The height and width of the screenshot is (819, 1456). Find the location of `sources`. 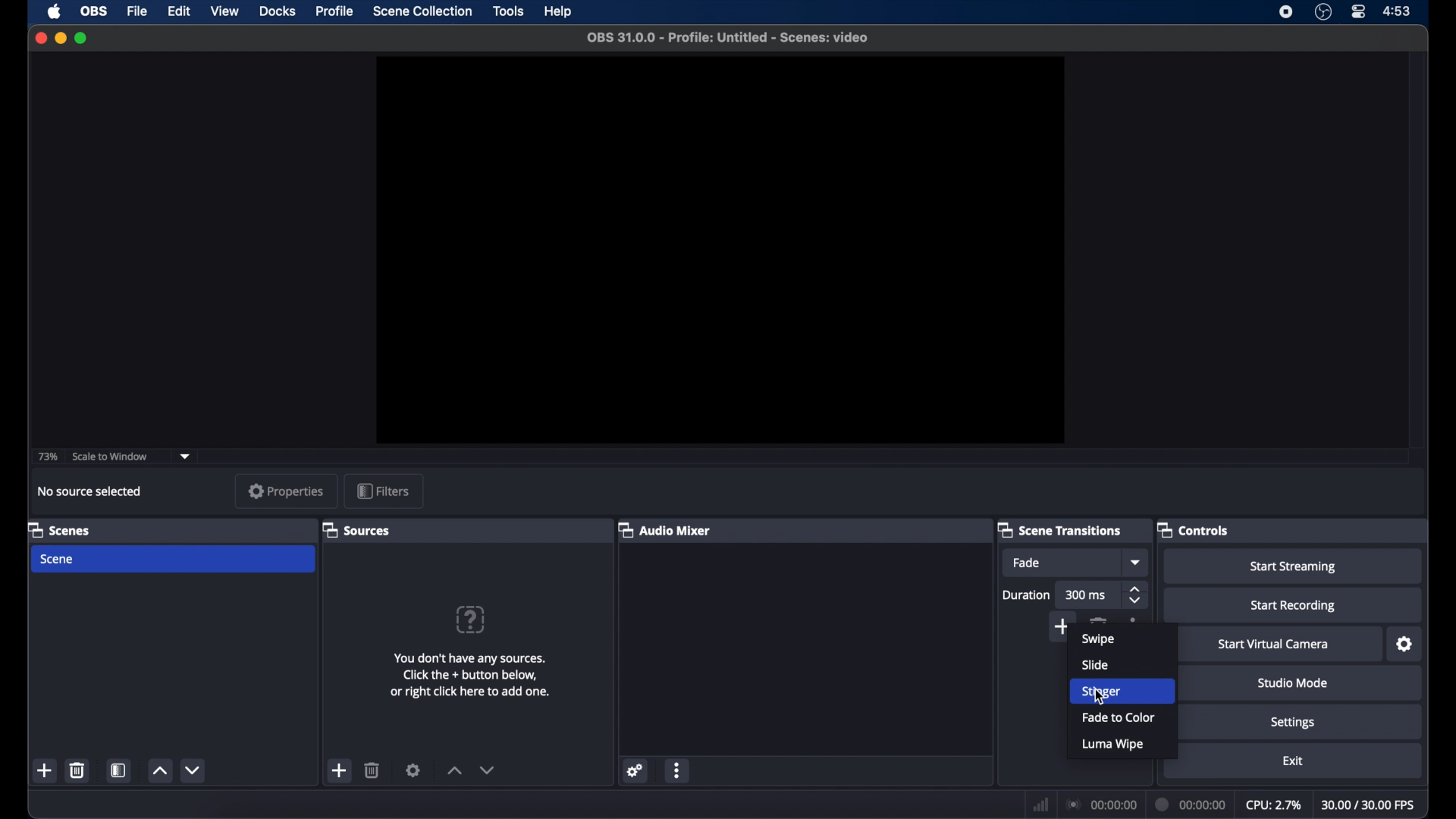

sources is located at coordinates (356, 529).